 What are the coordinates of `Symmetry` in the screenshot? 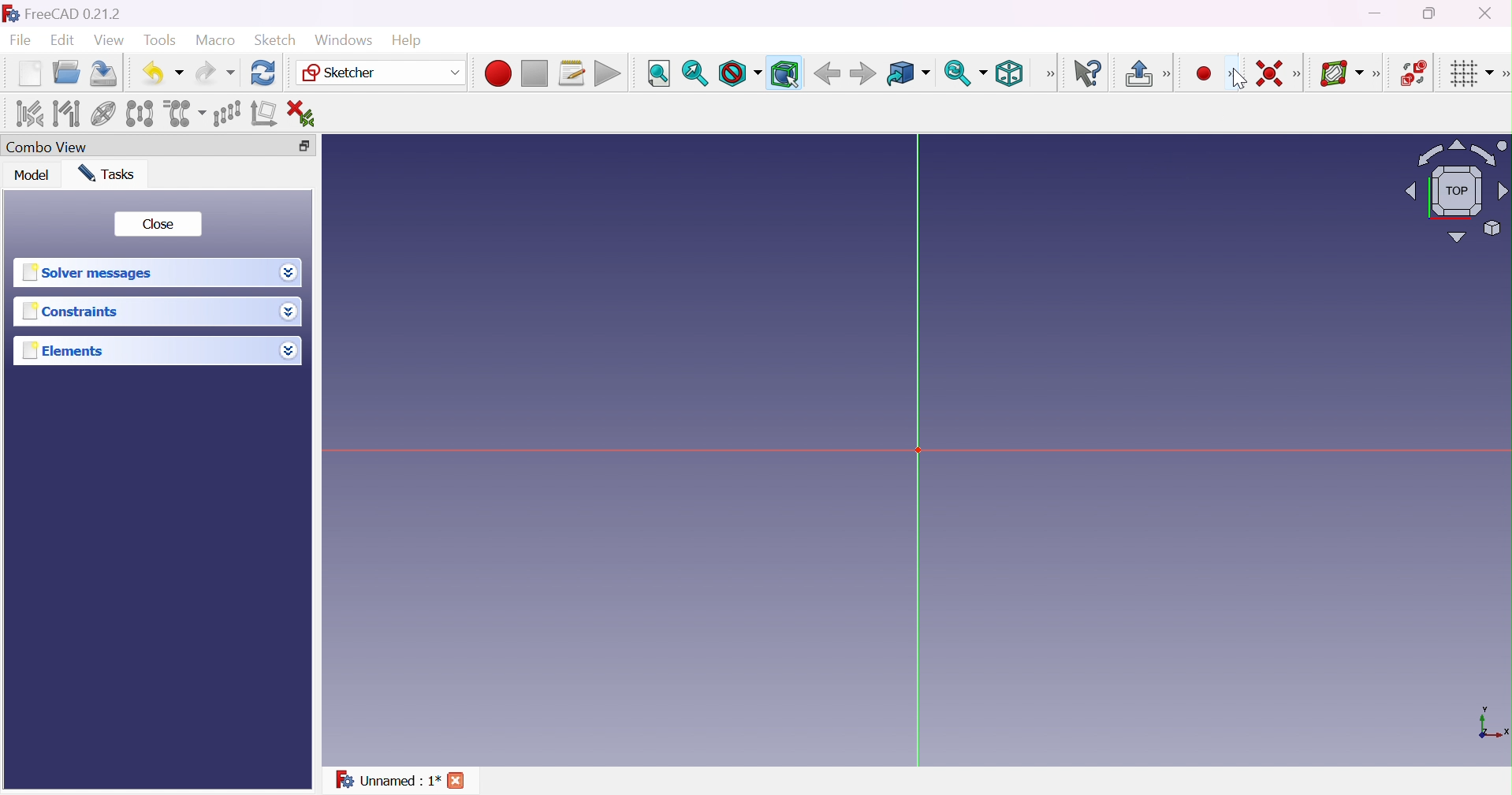 It's located at (139, 114).